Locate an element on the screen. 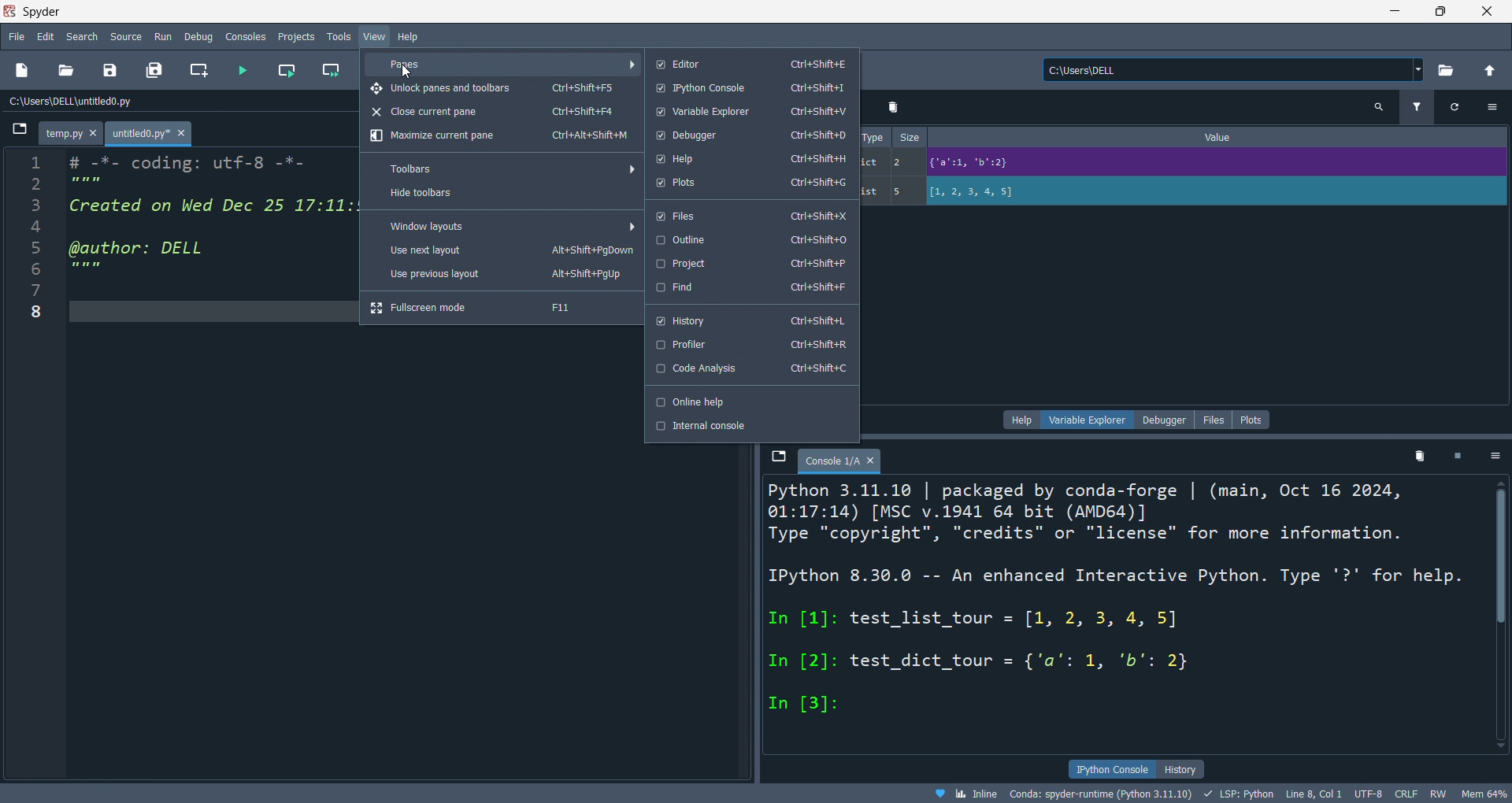 This screenshot has width=1512, height=803. save is located at coordinates (107, 72).